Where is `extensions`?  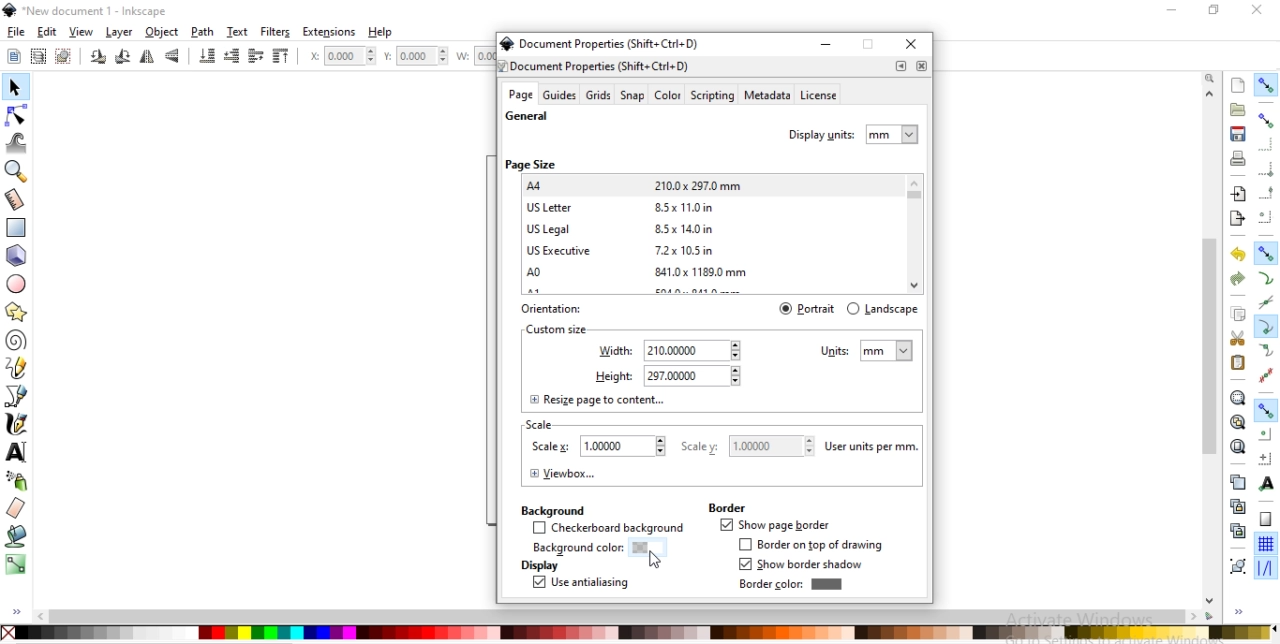
extensions is located at coordinates (329, 33).